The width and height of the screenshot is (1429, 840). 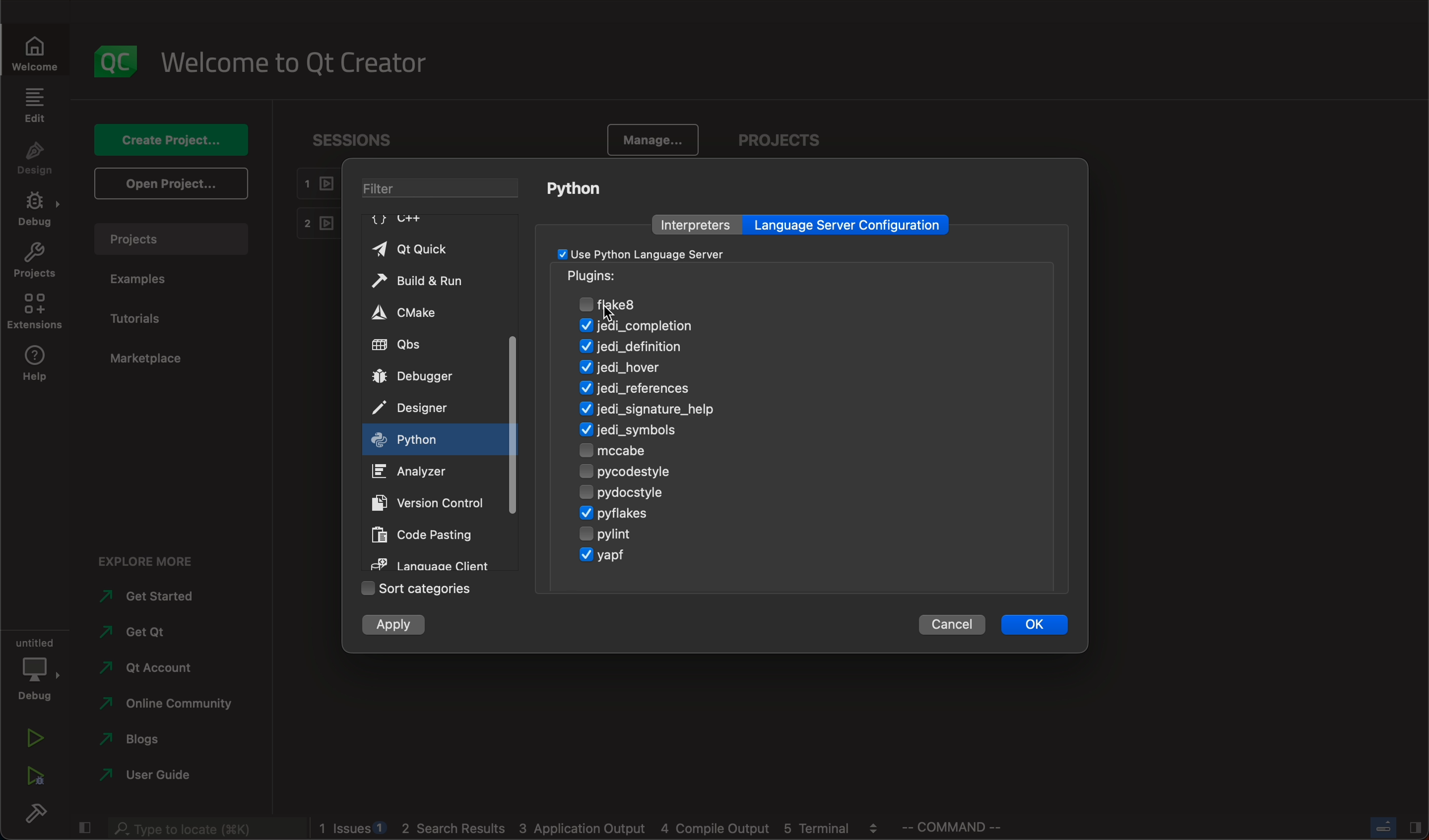 I want to click on account, so click(x=151, y=669).